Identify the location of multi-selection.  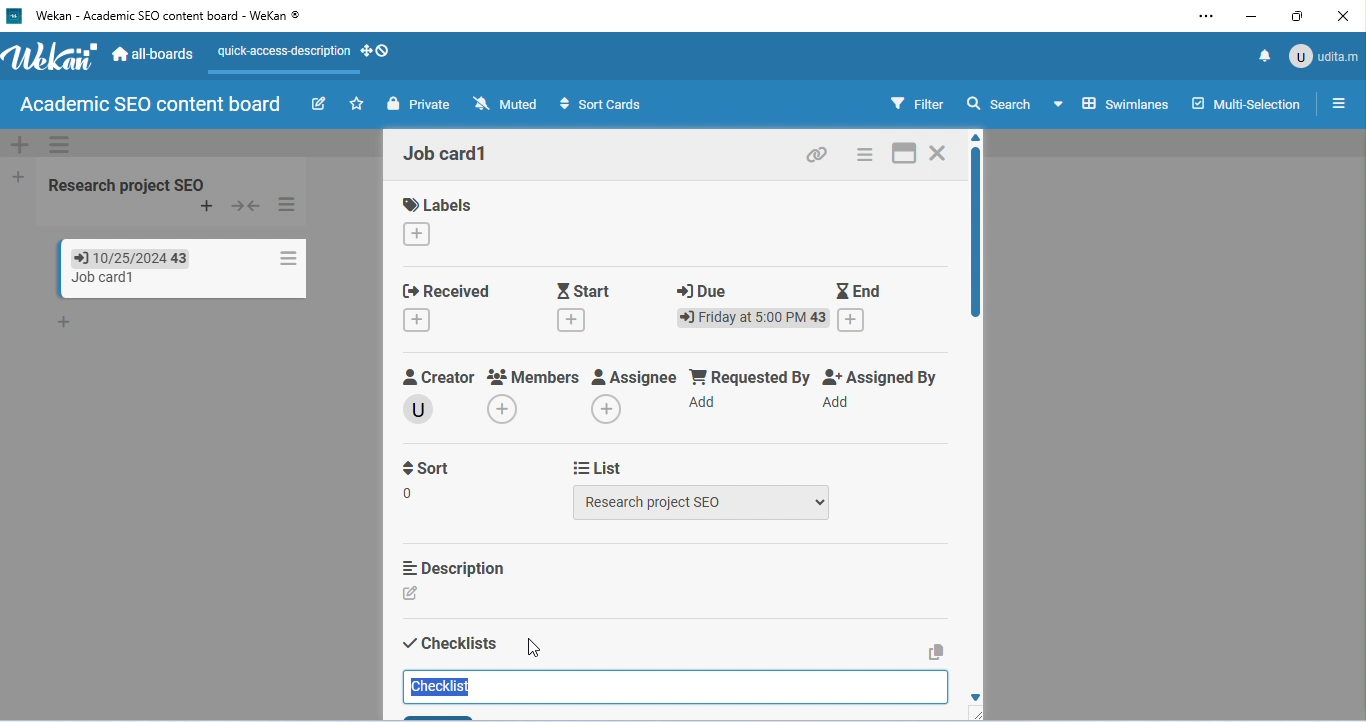
(1246, 101).